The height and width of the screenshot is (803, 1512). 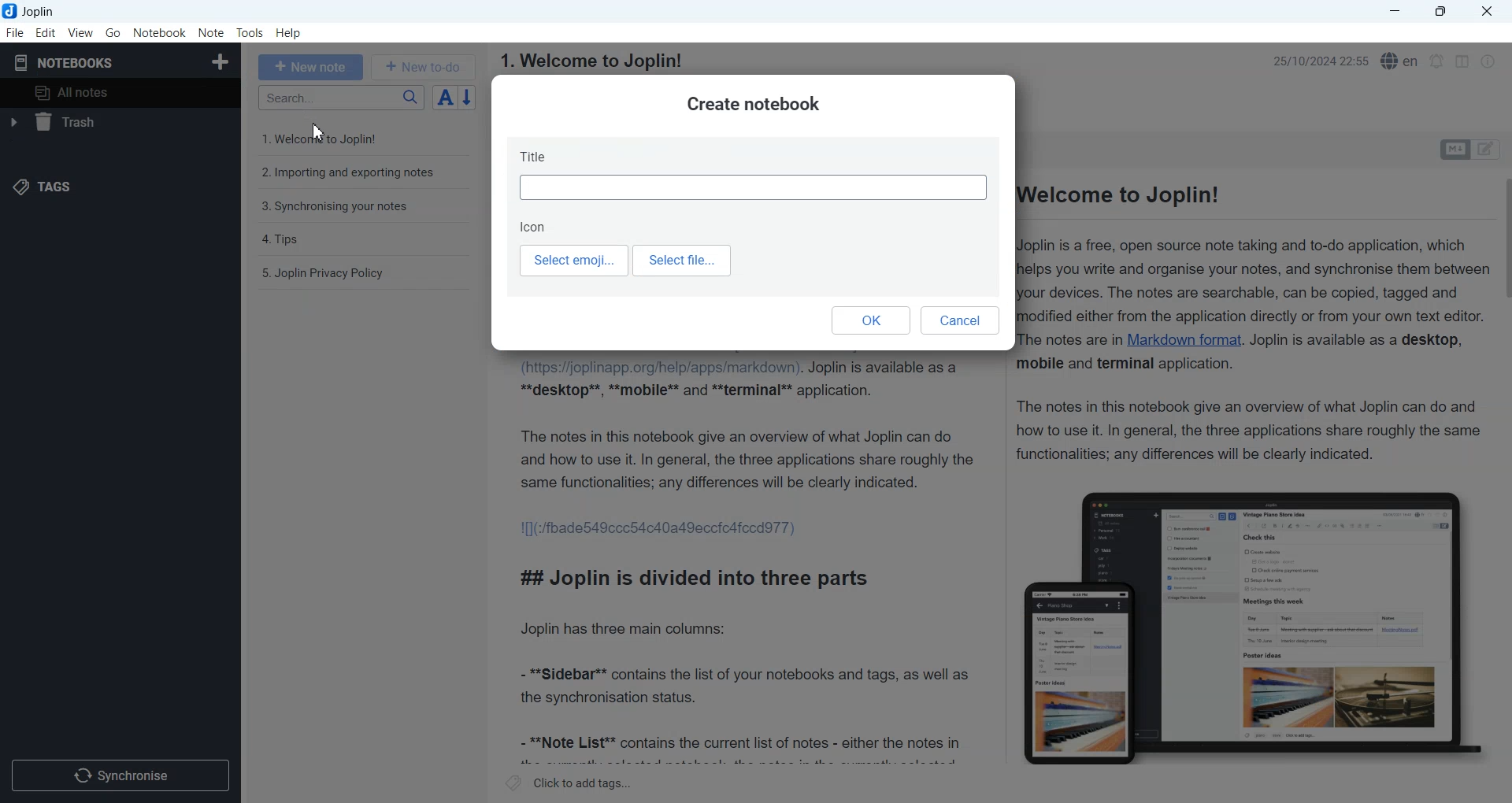 I want to click on 5. Joplin Privacy Policy, so click(x=324, y=273).